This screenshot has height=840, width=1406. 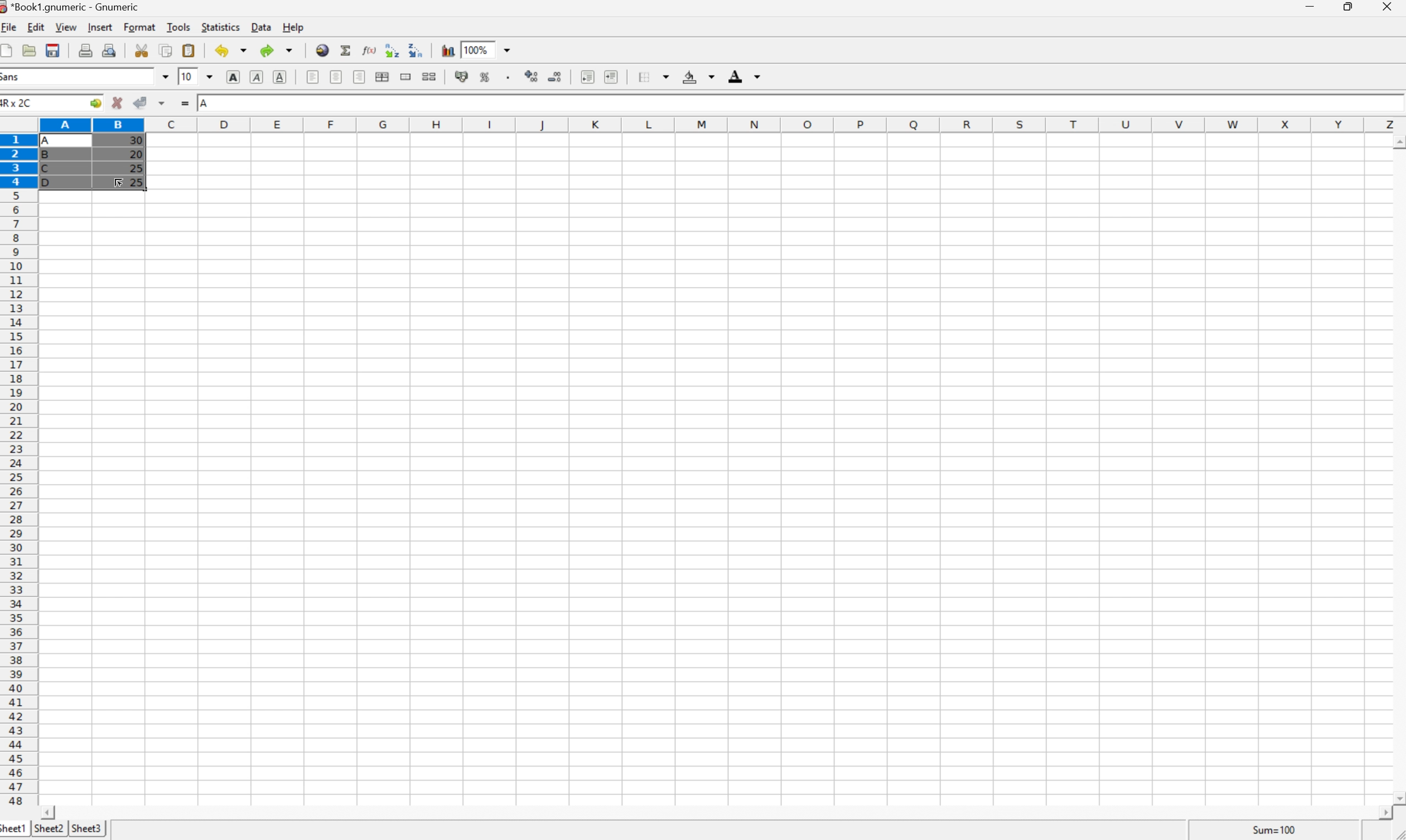 What do you see at coordinates (210, 76) in the screenshot?
I see `Drop Down` at bounding box center [210, 76].